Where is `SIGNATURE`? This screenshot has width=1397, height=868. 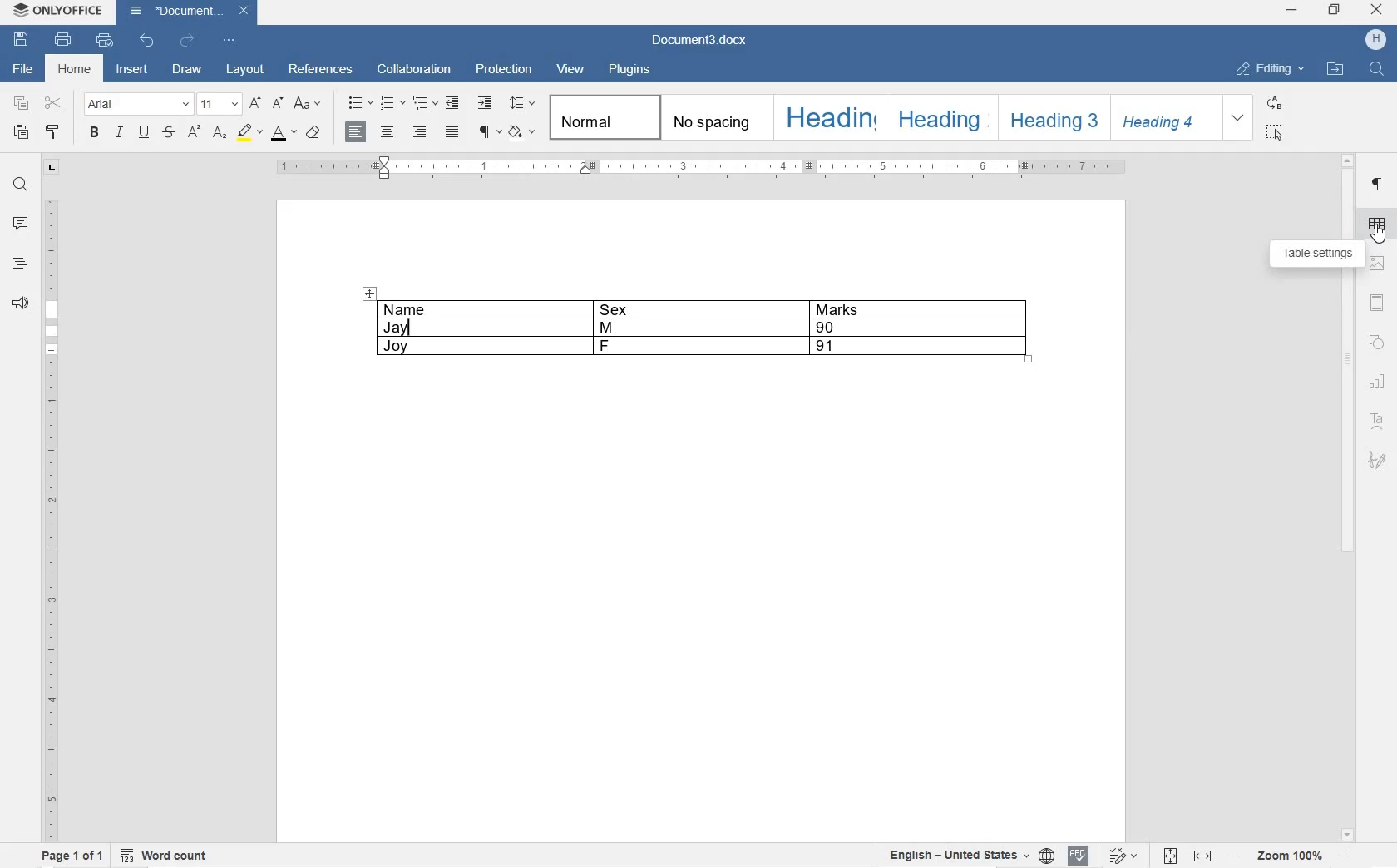 SIGNATURE is located at coordinates (1377, 462).